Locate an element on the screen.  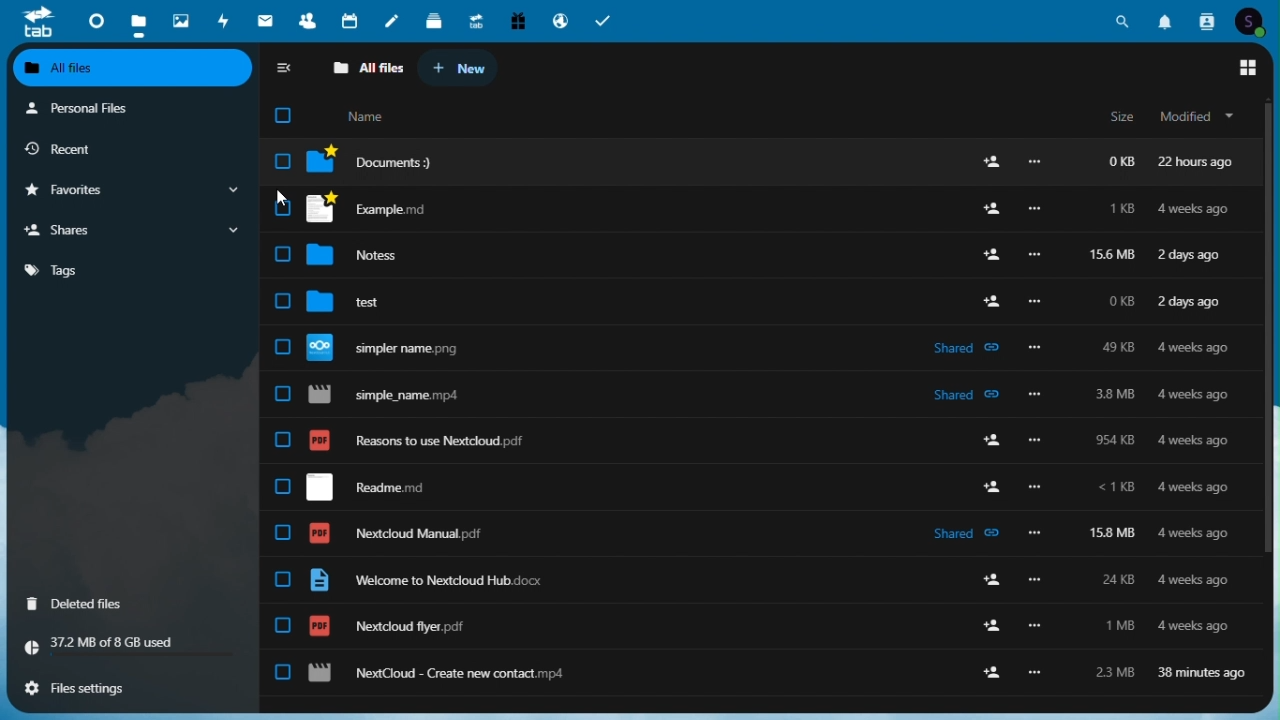
simpler name.png is located at coordinates (395, 348).